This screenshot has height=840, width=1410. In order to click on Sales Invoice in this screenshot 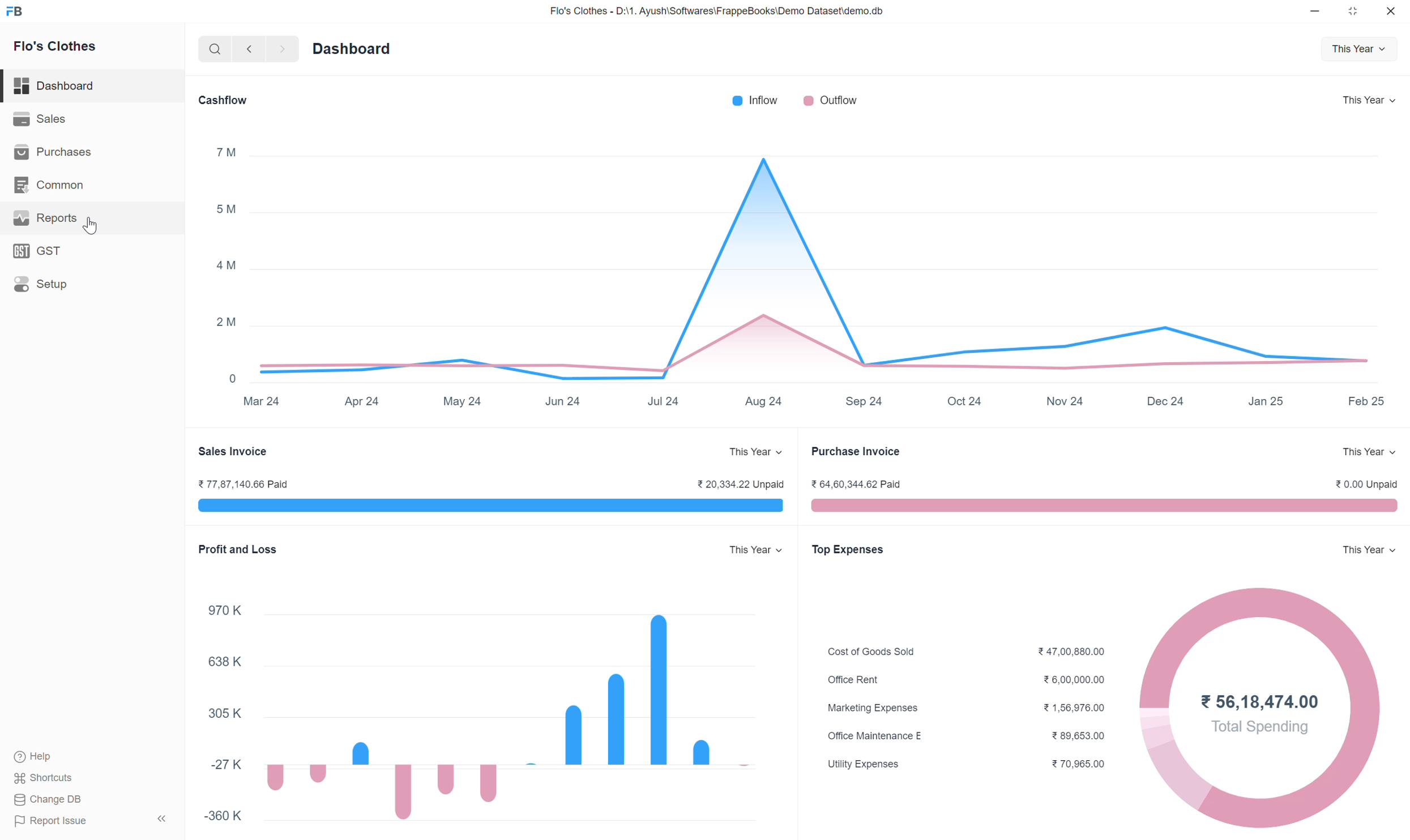, I will do `click(230, 451)`.